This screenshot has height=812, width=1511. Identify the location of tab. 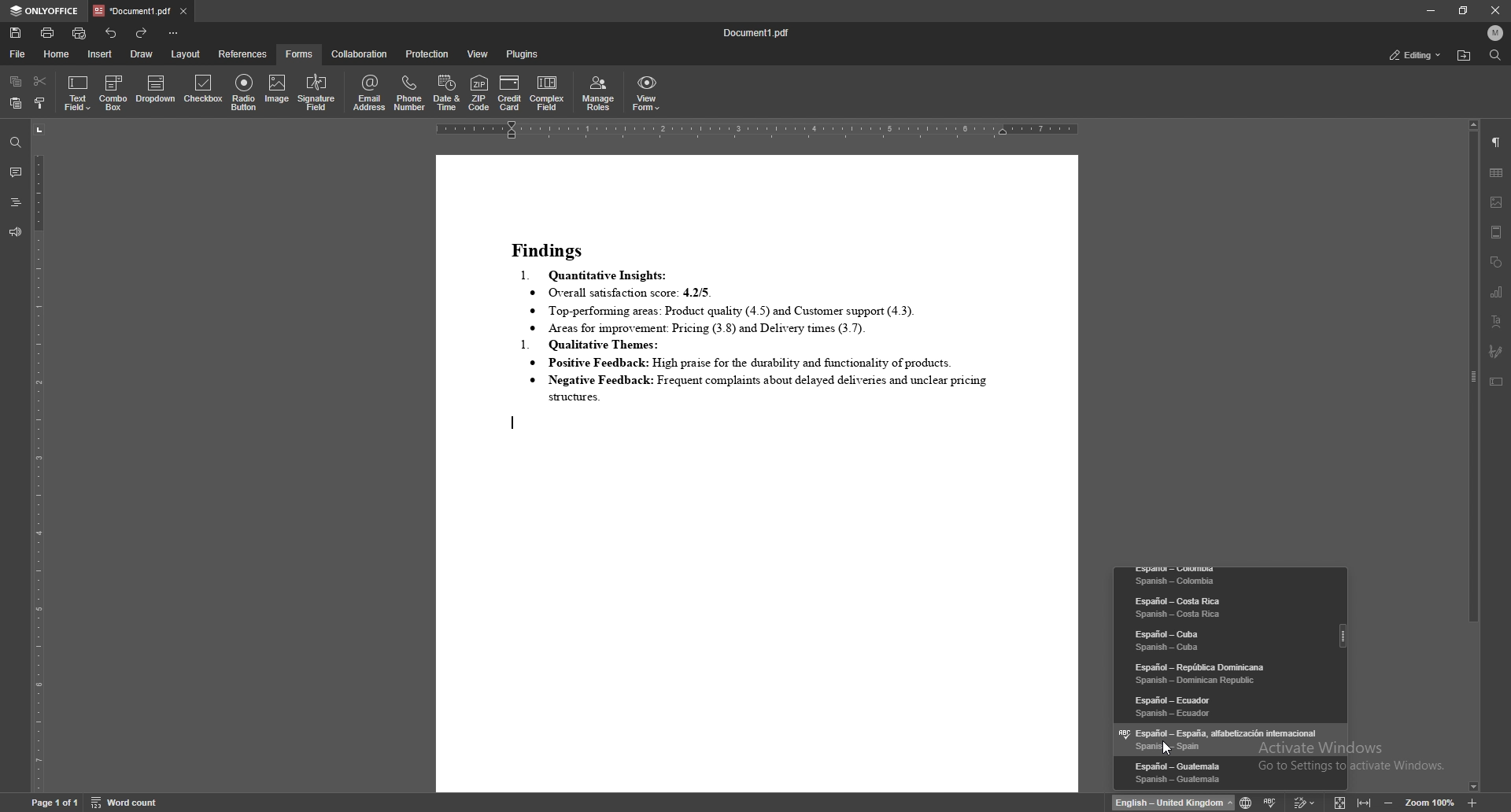
(131, 11).